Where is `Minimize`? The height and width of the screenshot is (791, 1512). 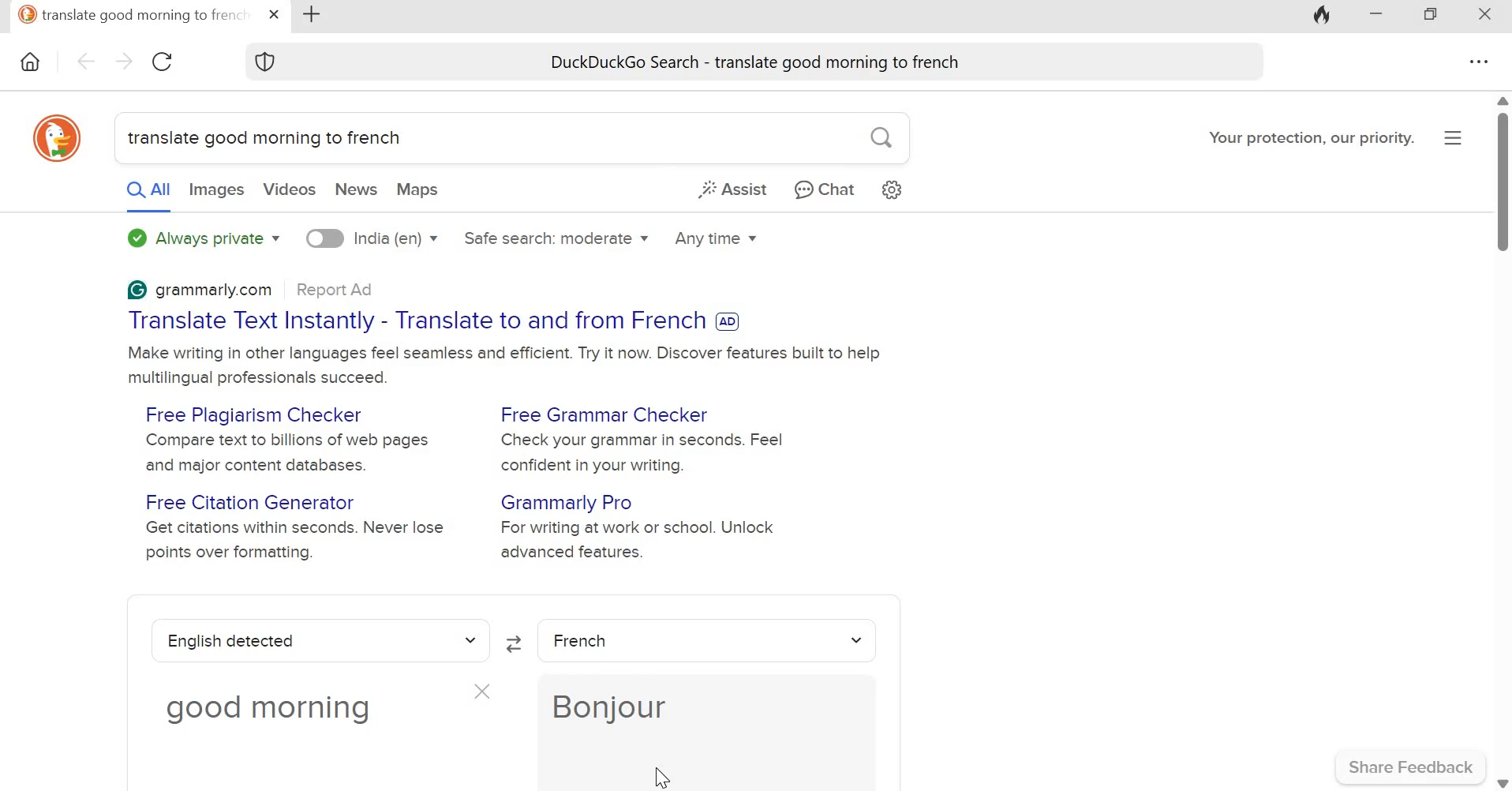
Minimize is located at coordinates (1380, 16).